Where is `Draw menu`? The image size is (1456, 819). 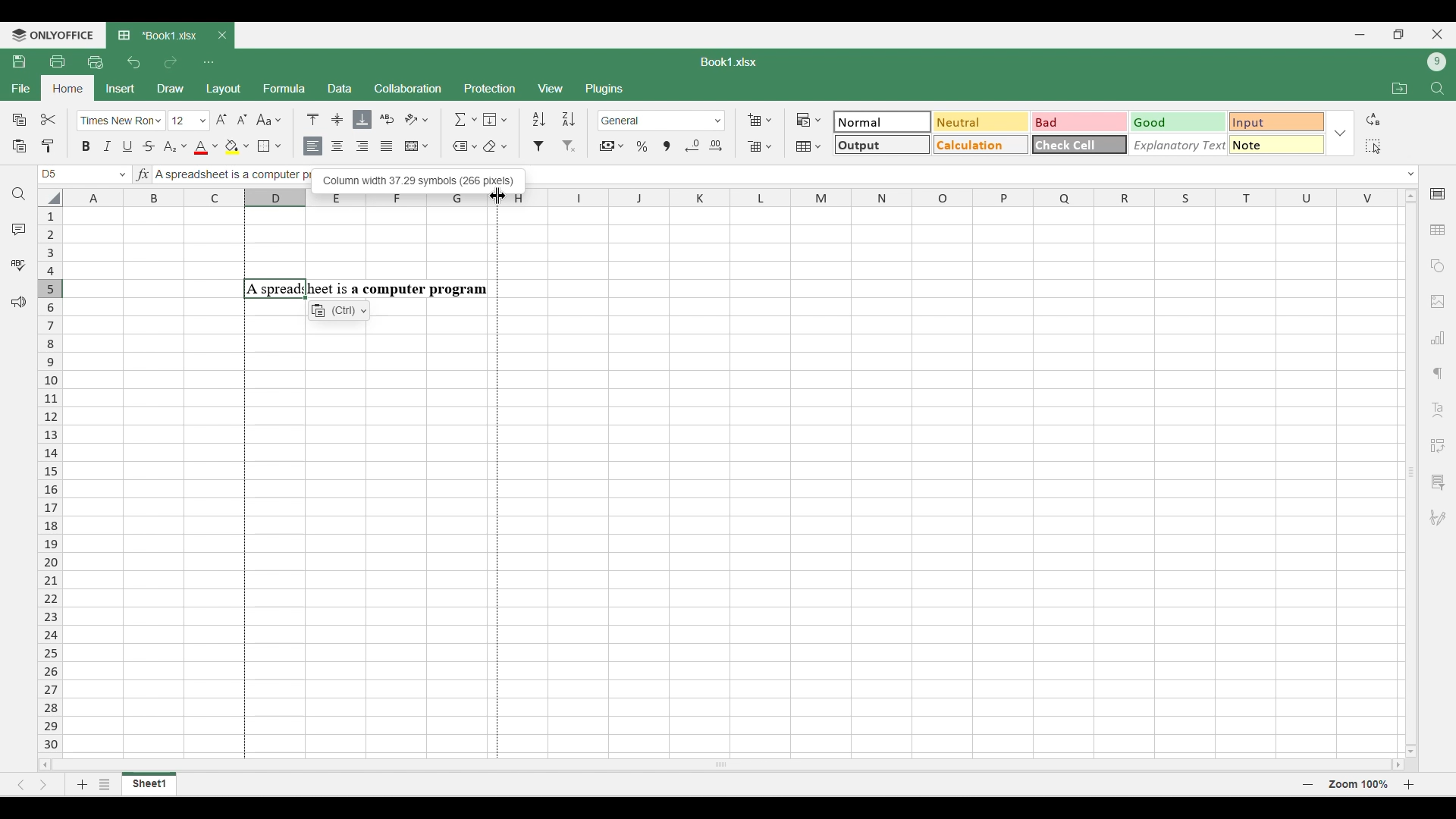 Draw menu is located at coordinates (171, 88).